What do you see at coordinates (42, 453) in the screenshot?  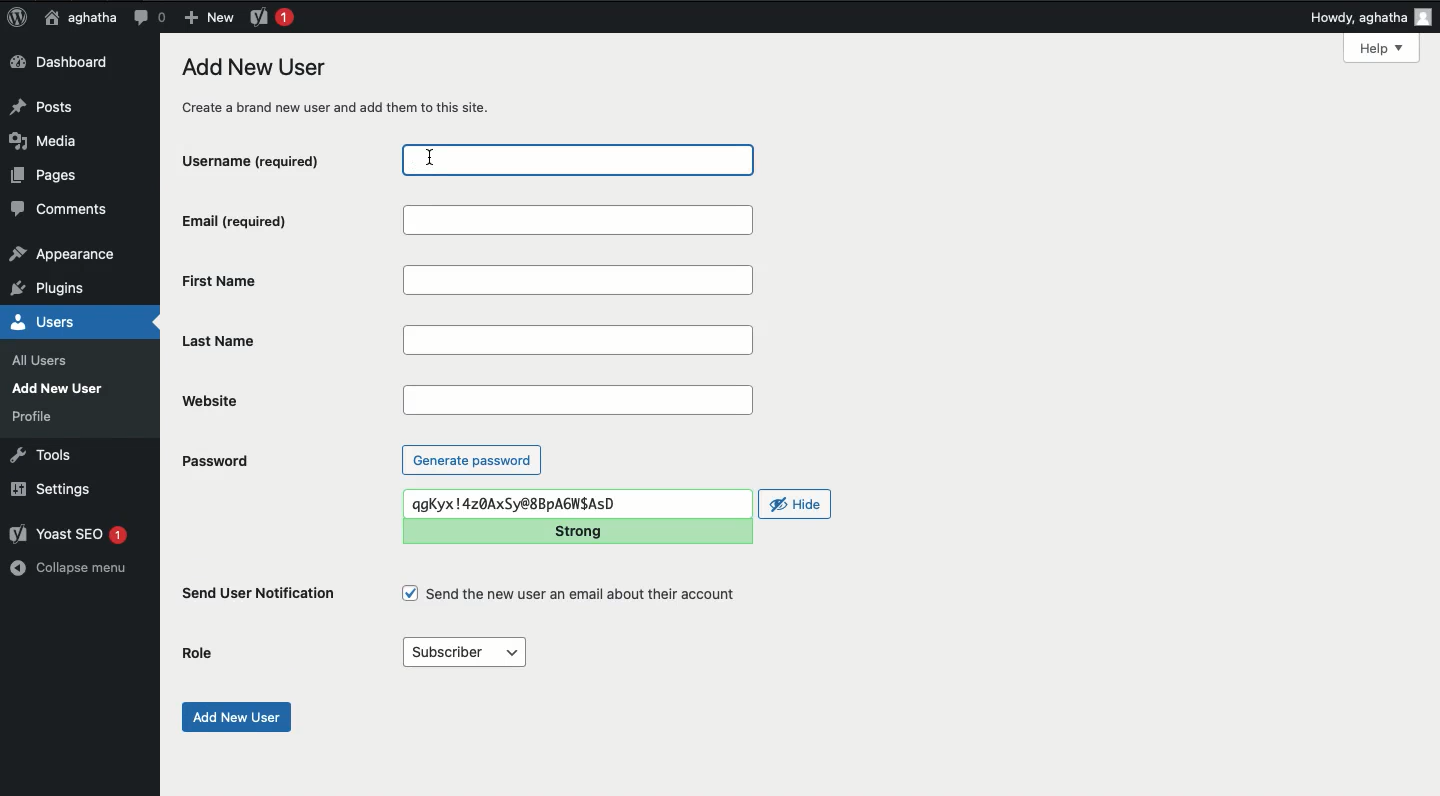 I see `Tools` at bounding box center [42, 453].